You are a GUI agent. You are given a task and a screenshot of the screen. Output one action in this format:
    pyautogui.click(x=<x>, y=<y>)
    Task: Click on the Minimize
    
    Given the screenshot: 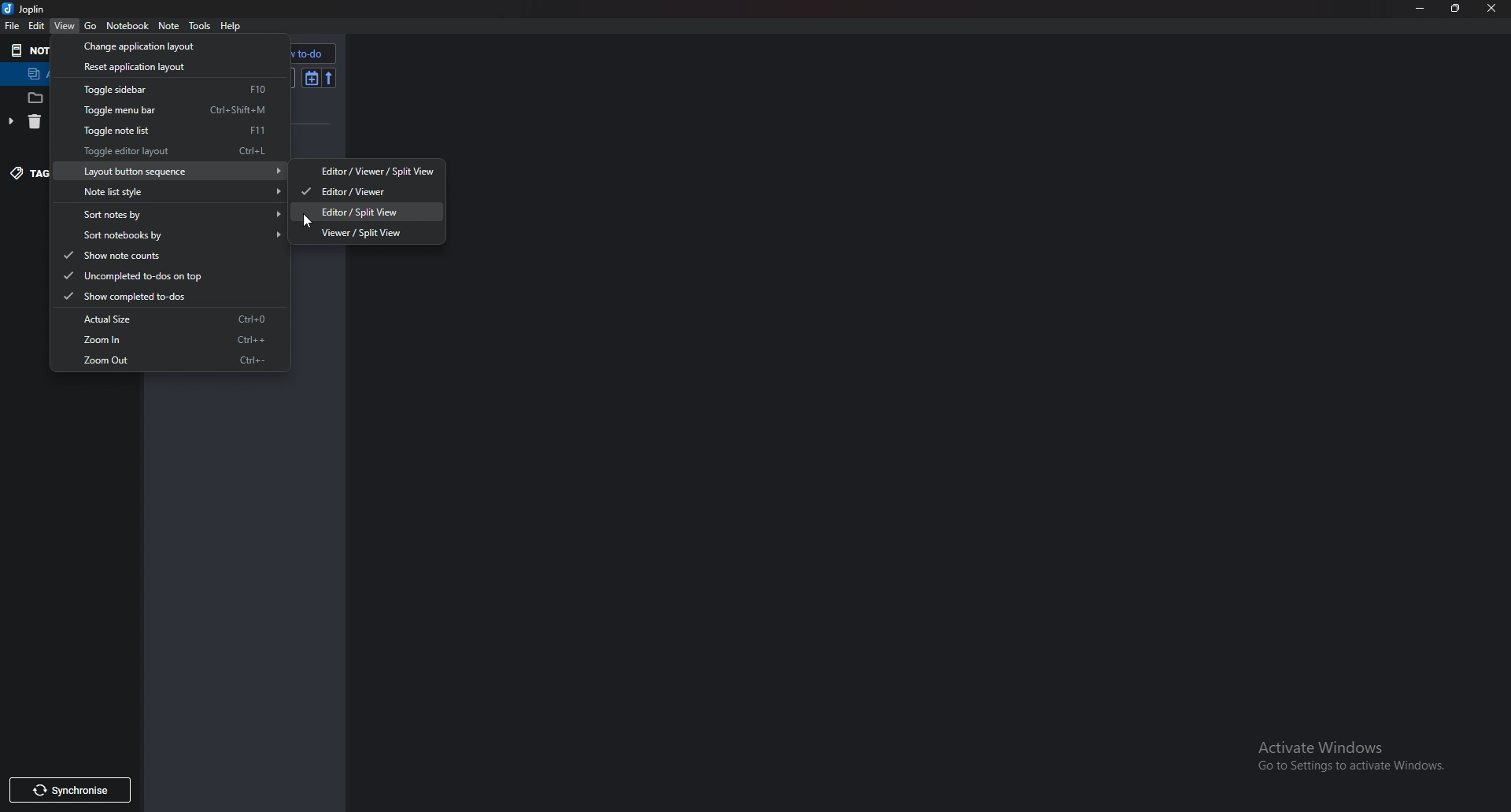 What is the action you would take?
    pyautogui.click(x=1423, y=8)
    